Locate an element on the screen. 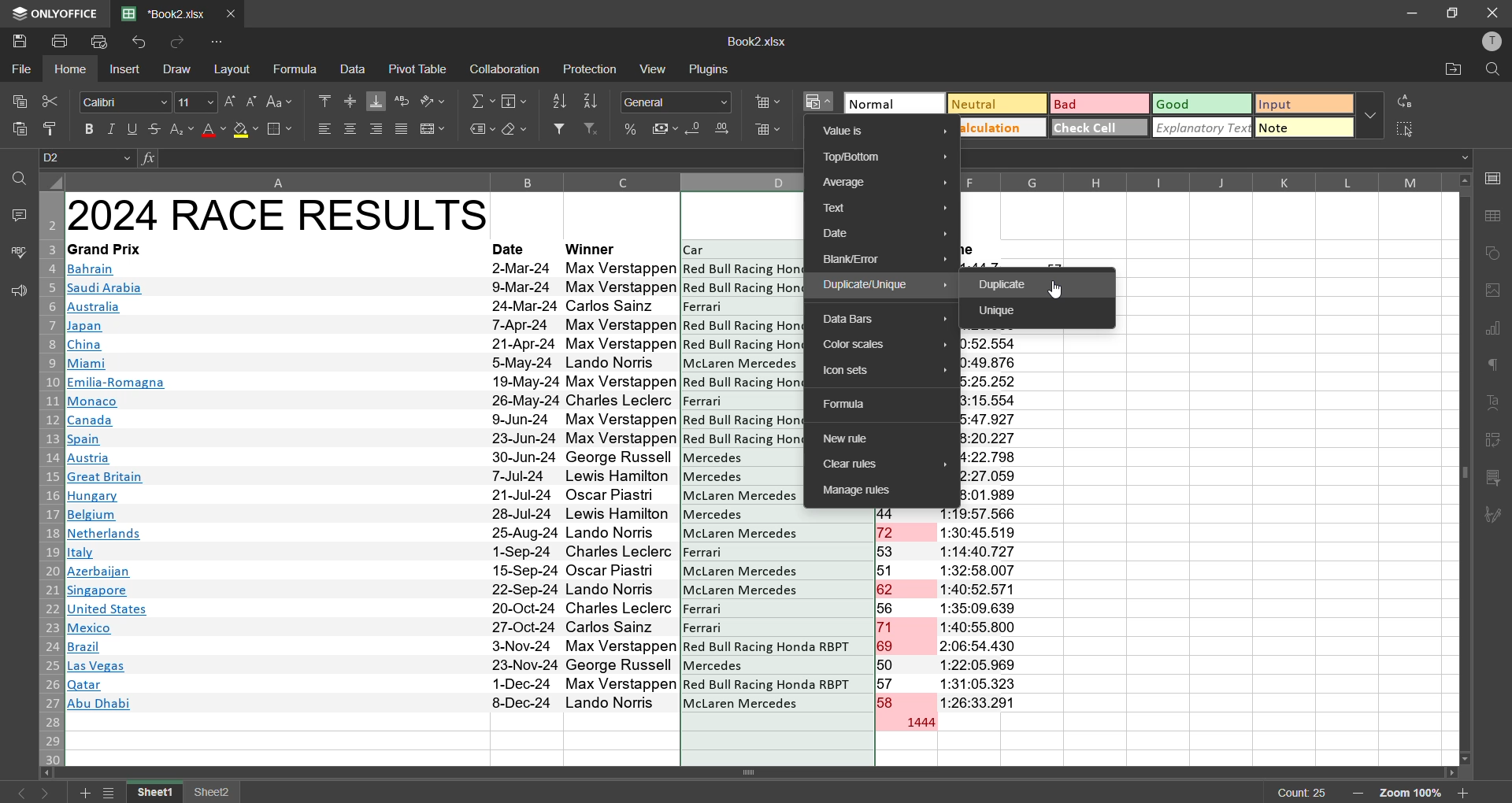 This screenshot has height=803, width=1512. images is located at coordinates (1494, 290).